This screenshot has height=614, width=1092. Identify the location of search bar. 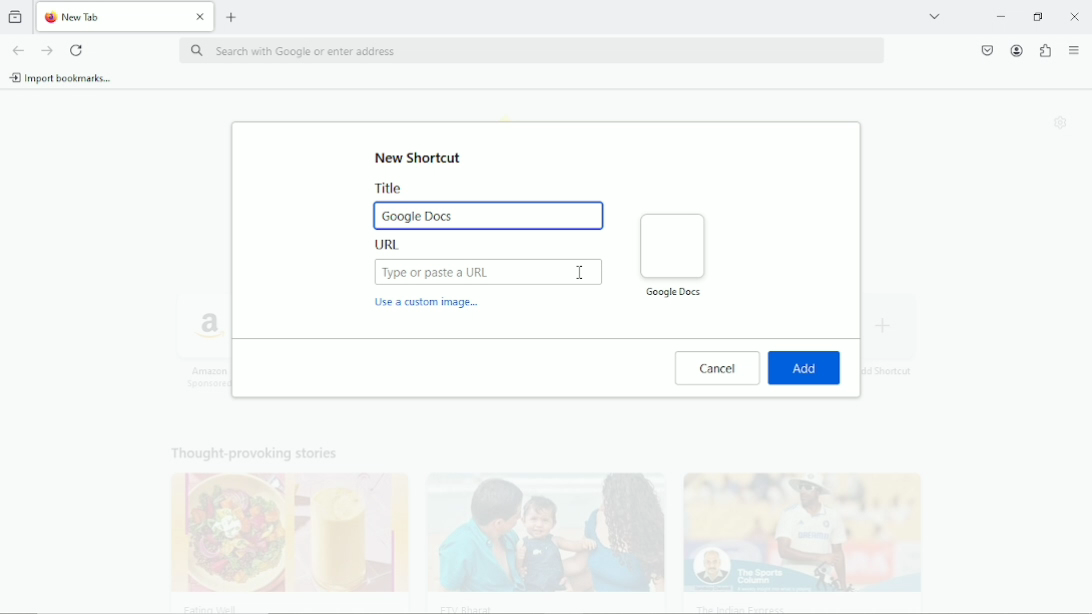
(530, 52).